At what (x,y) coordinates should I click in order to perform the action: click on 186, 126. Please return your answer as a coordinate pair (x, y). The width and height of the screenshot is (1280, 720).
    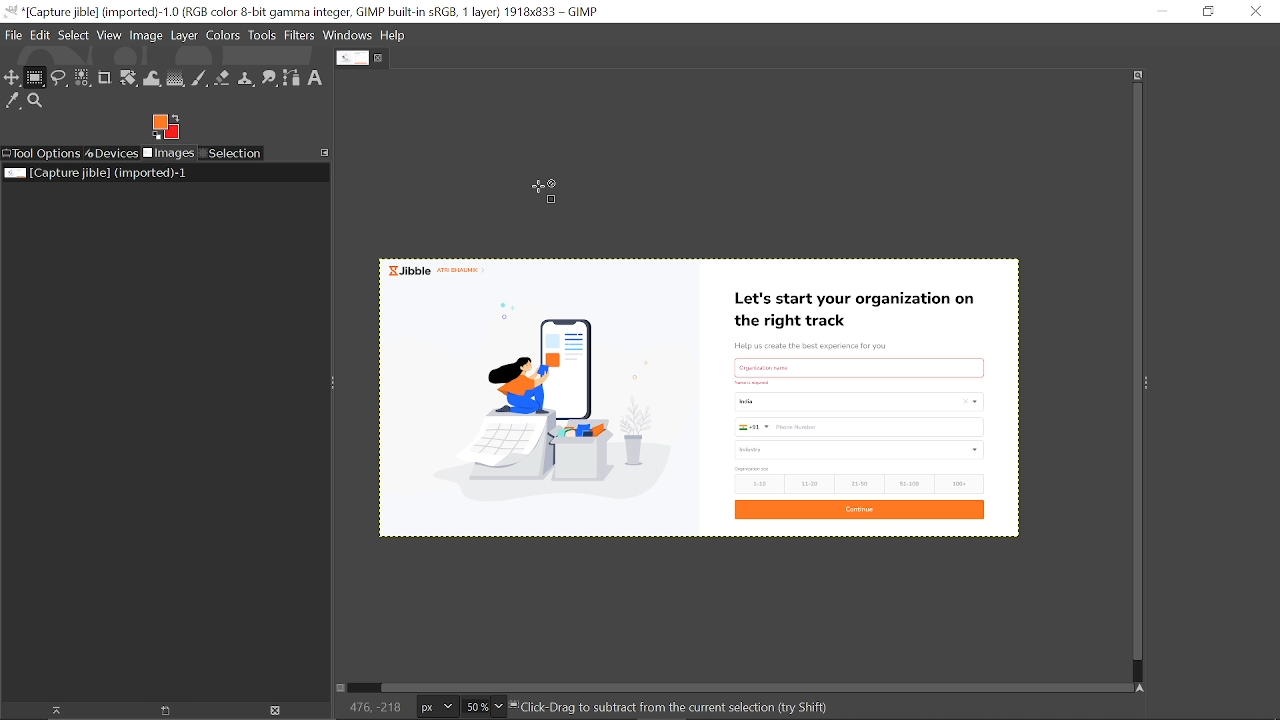
    Looking at the image, I should click on (369, 708).